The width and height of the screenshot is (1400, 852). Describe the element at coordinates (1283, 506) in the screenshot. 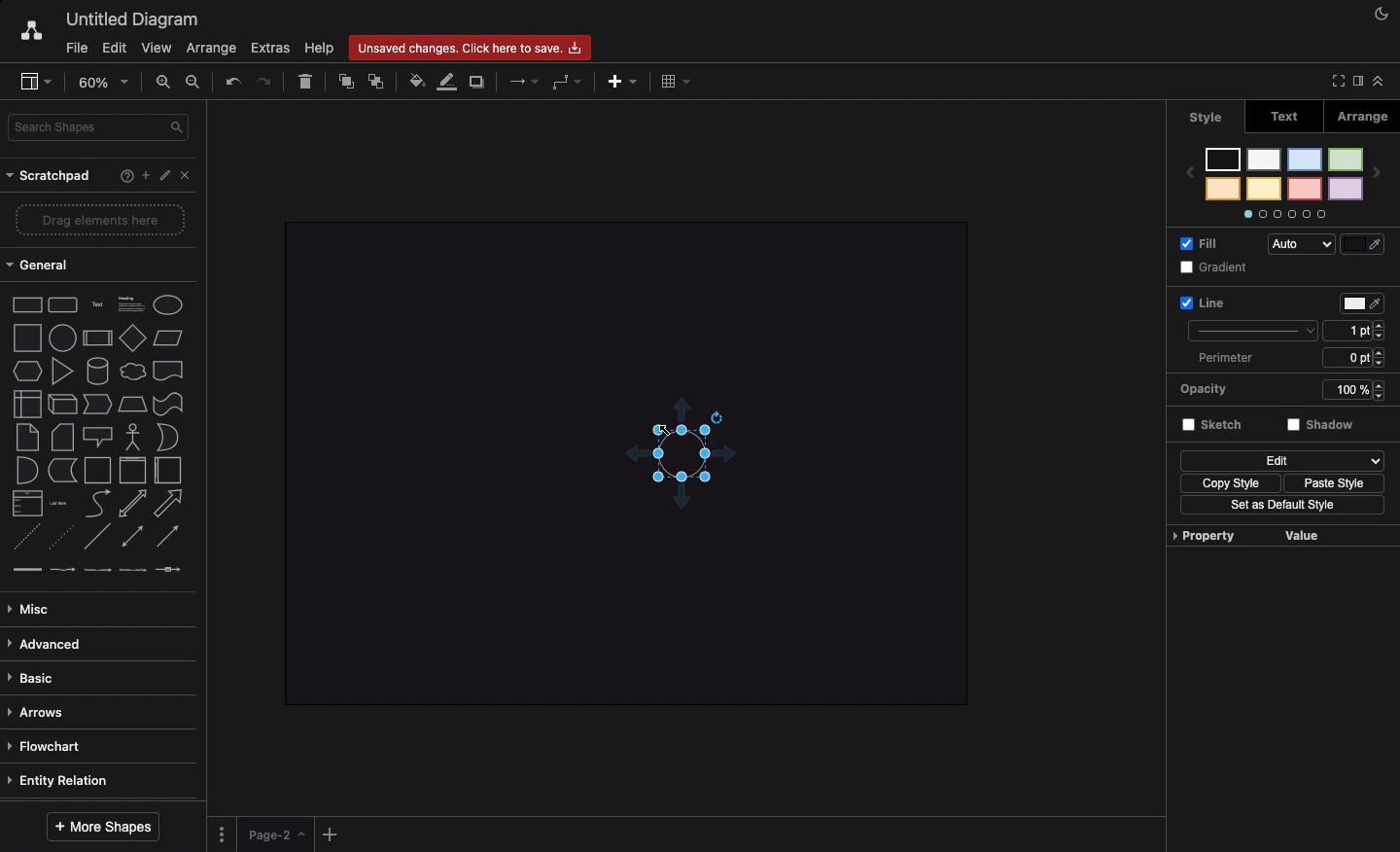

I see `Set as default style` at that location.